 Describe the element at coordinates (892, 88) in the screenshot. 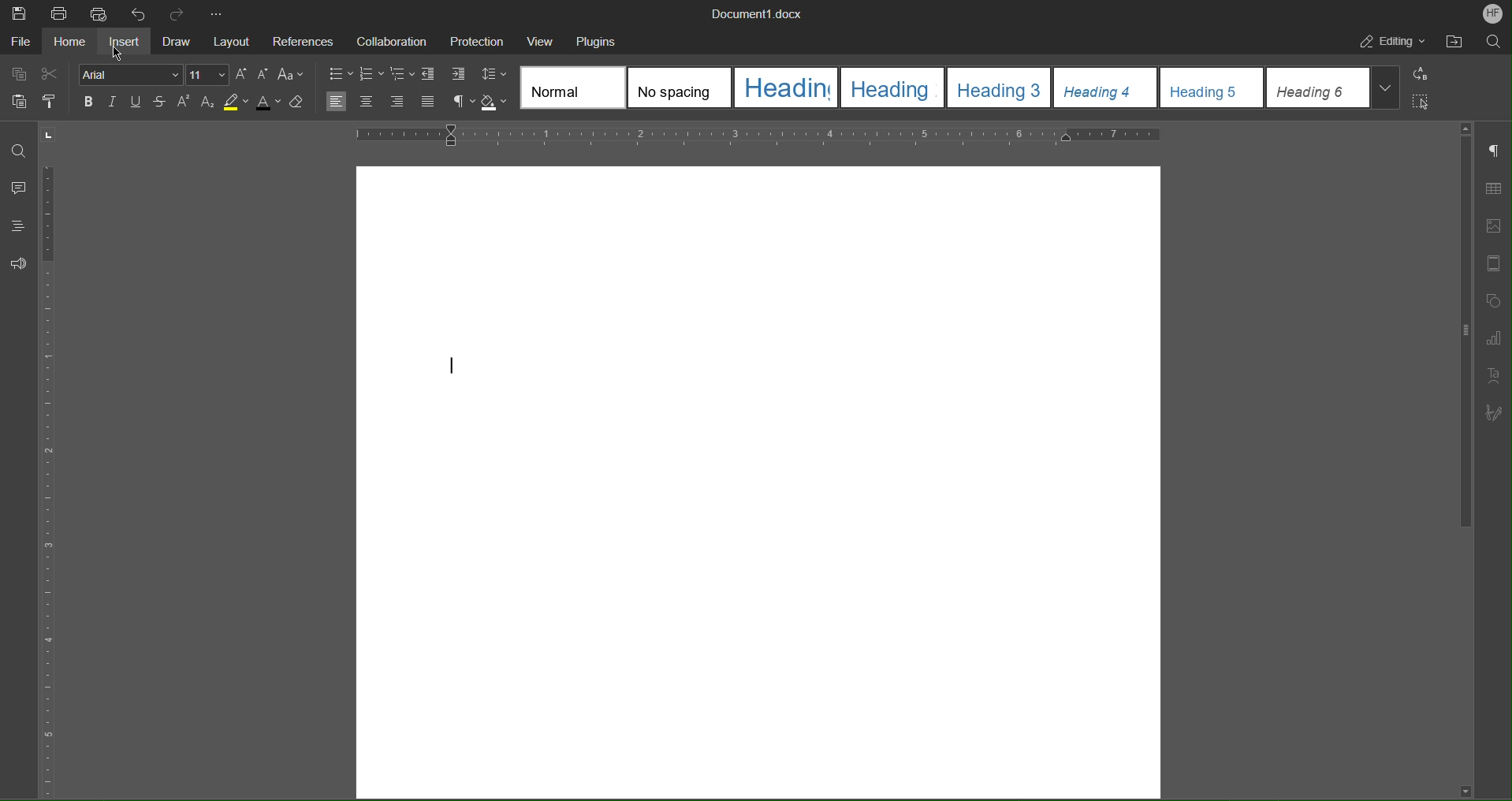

I see `Heading 2` at that location.